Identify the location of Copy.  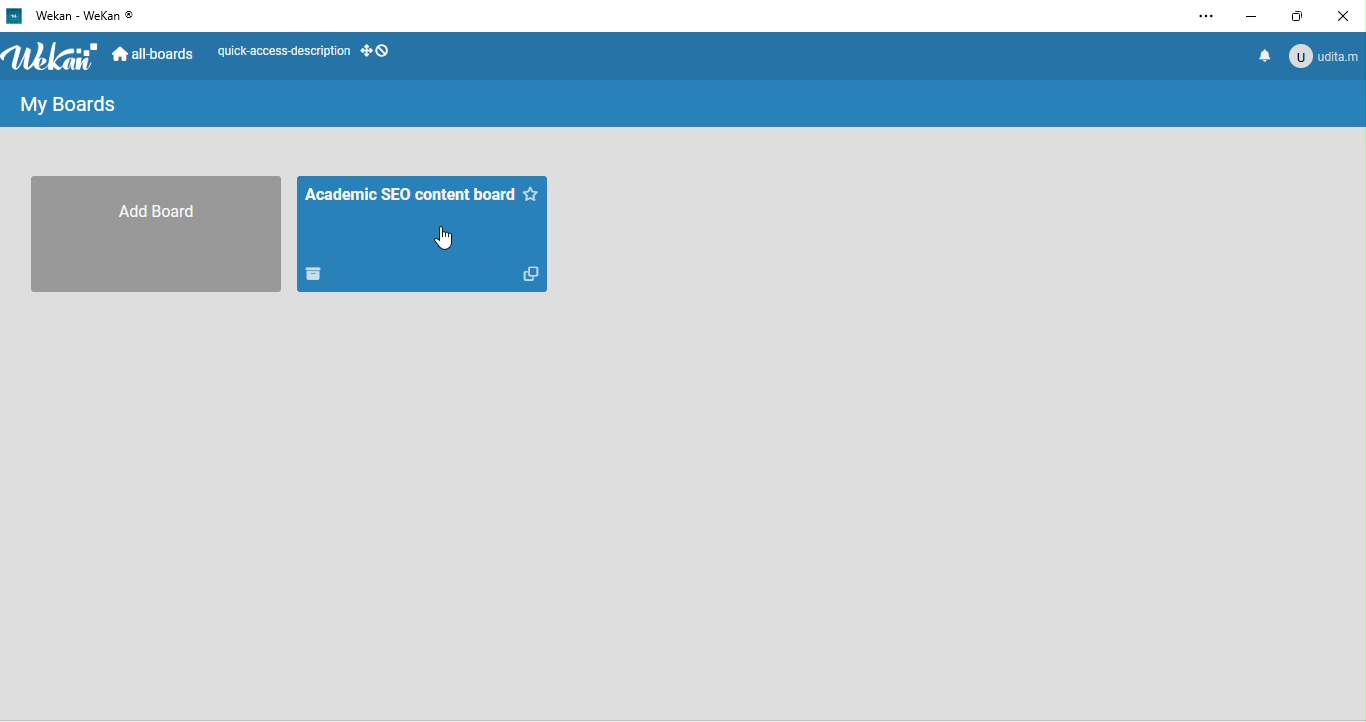
(530, 273).